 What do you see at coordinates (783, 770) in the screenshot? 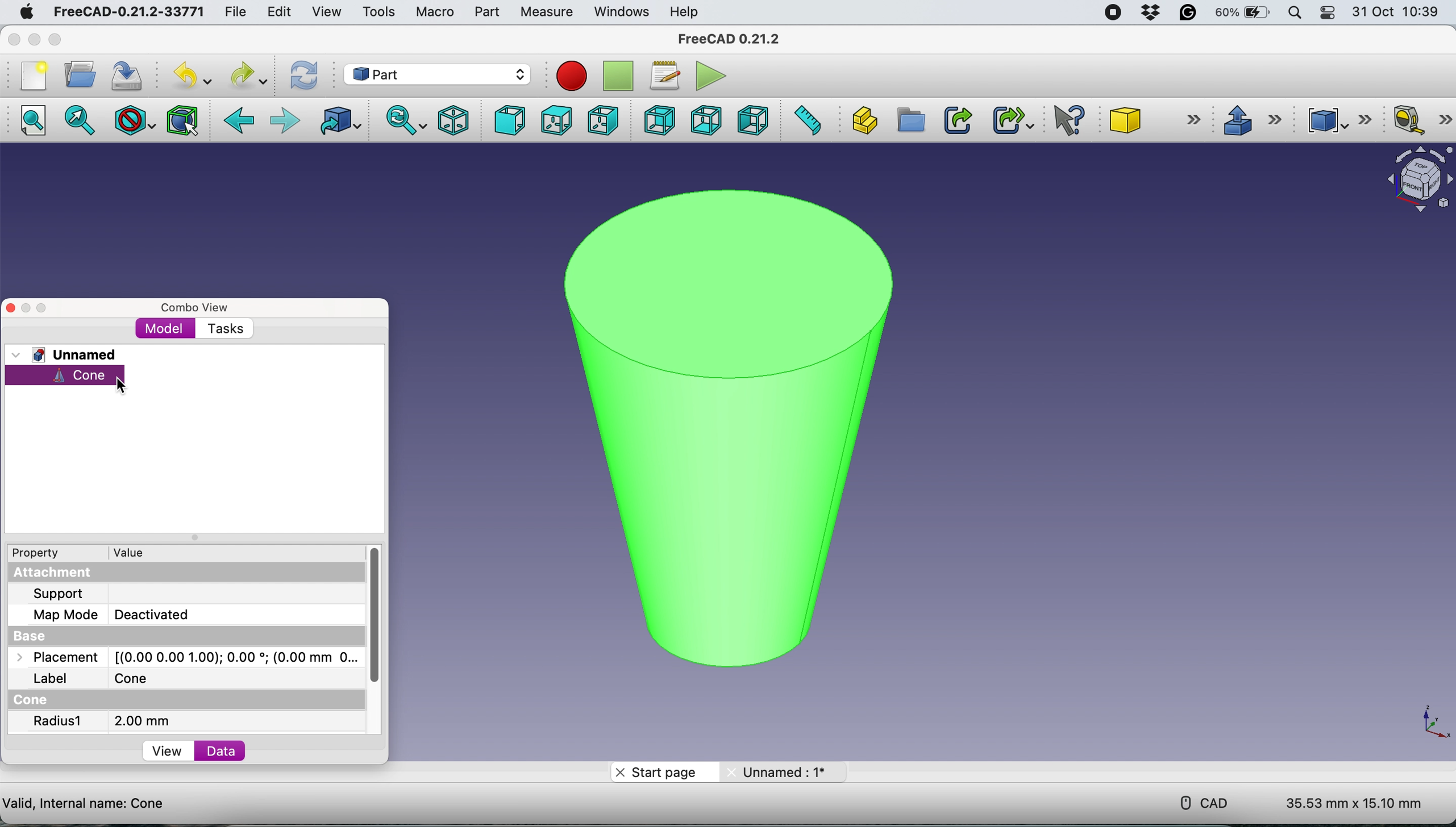
I see `unnamed : 1*` at bounding box center [783, 770].